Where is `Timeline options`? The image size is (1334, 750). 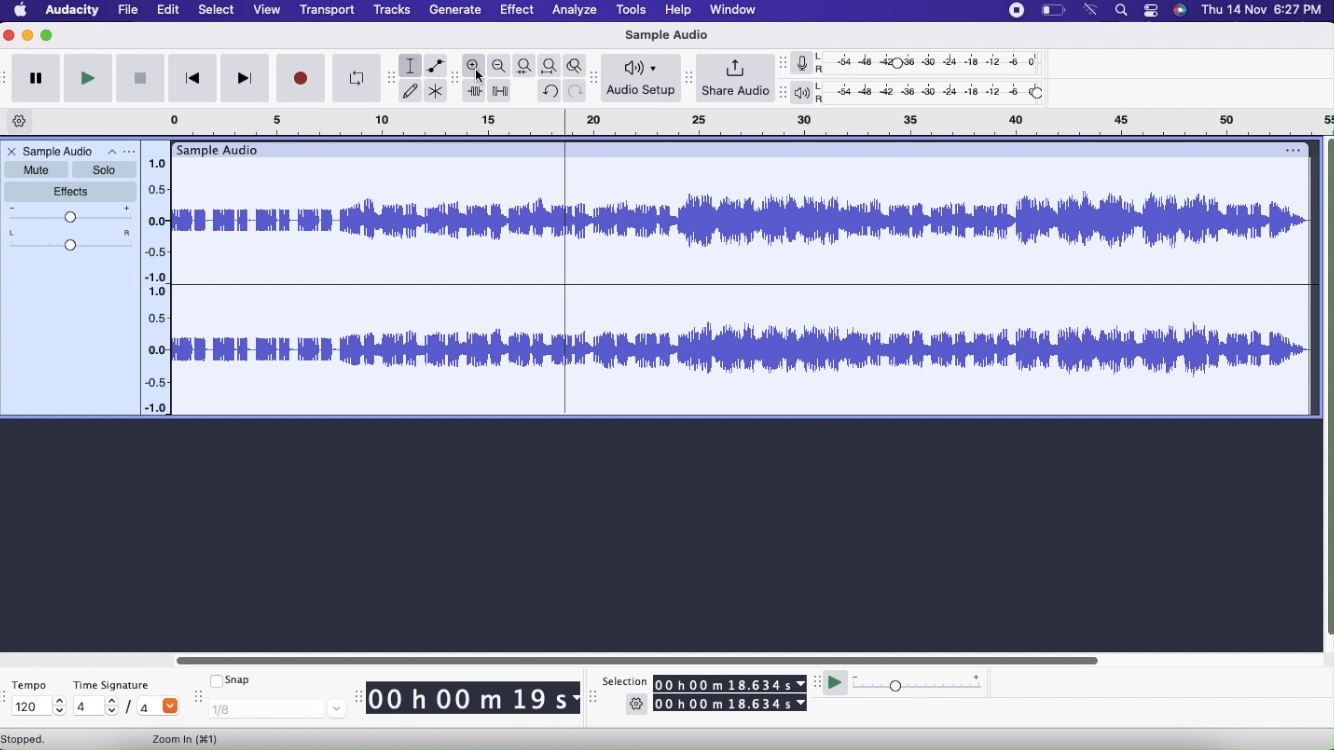
Timeline options is located at coordinates (20, 122).